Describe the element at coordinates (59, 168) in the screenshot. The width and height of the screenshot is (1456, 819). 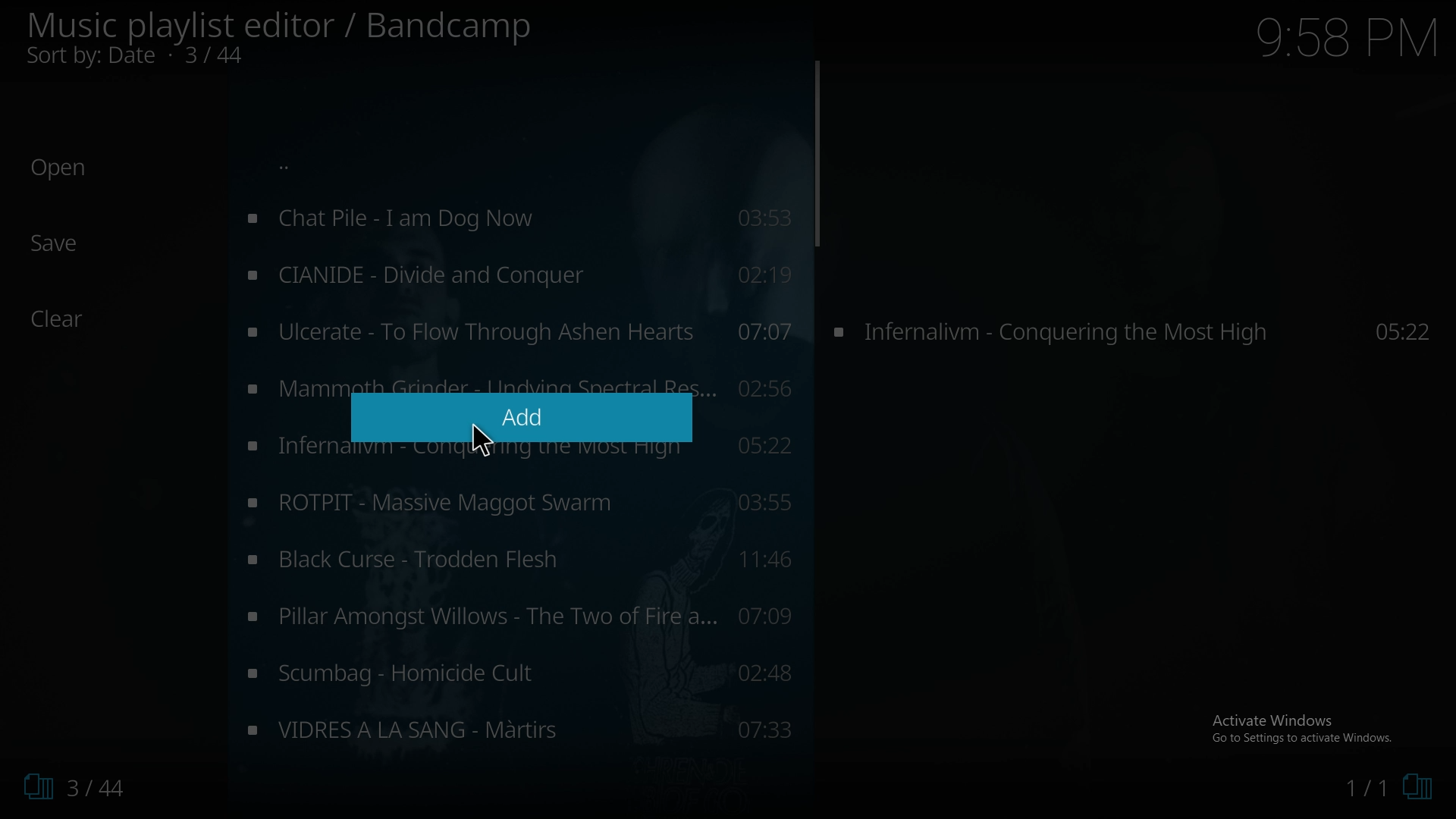
I see `Open` at that location.